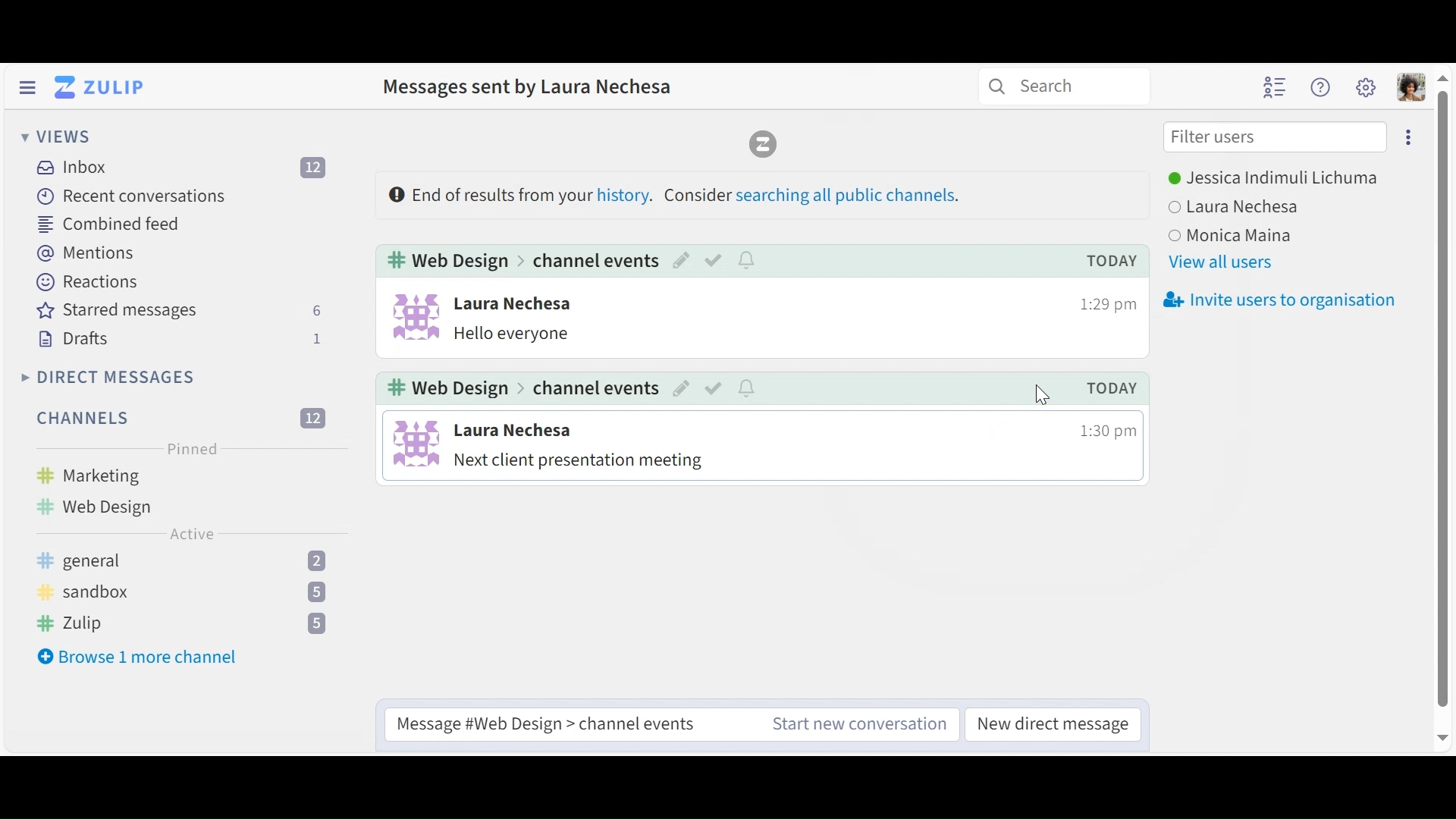 This screenshot has width=1456, height=819. What do you see at coordinates (557, 726) in the screenshot?
I see `message channel` at bounding box center [557, 726].